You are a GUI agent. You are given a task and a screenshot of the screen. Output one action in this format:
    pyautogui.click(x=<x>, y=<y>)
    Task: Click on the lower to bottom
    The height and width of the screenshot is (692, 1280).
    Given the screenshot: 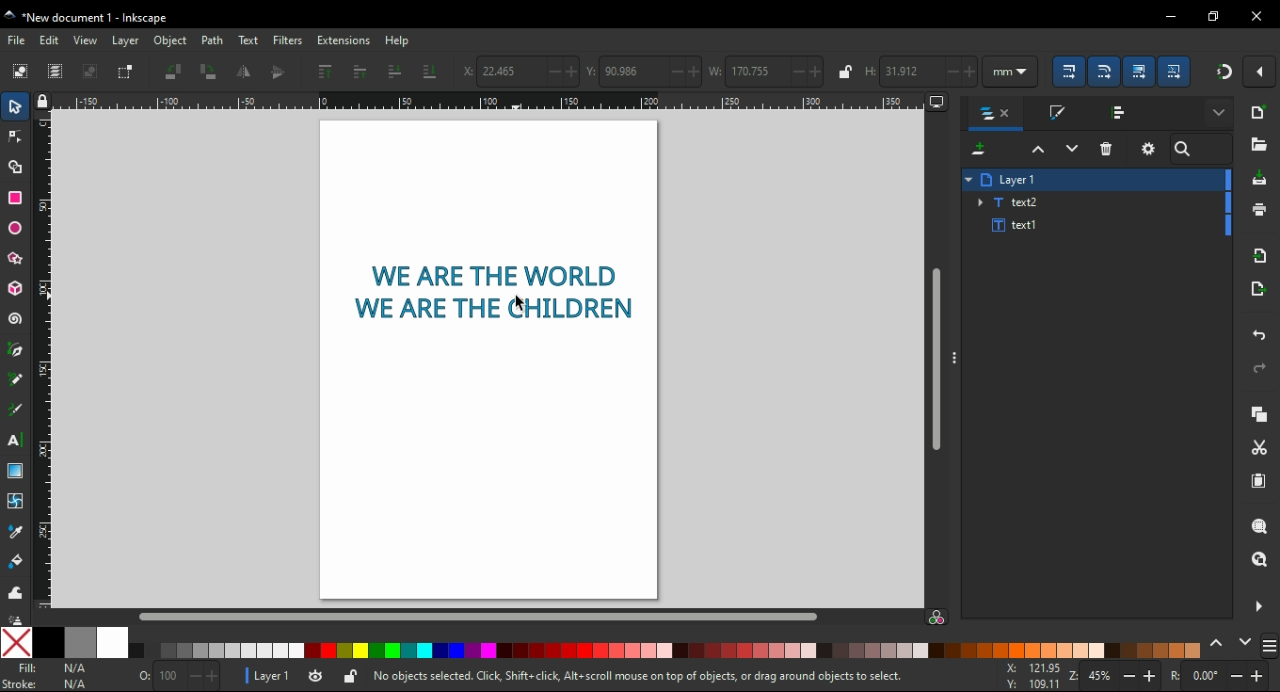 What is the action you would take?
    pyautogui.click(x=431, y=72)
    